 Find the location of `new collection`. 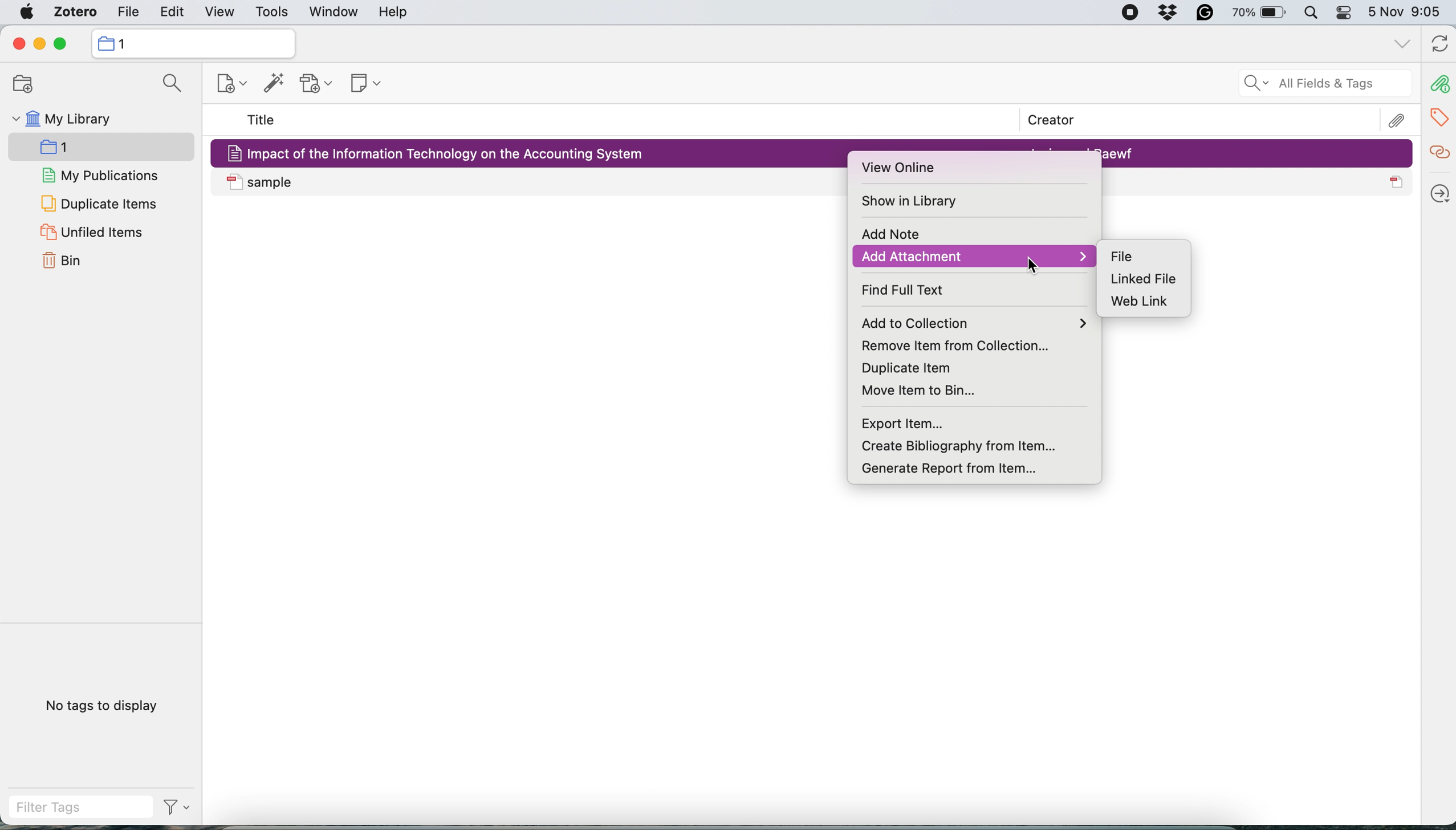

new collection is located at coordinates (18, 84).